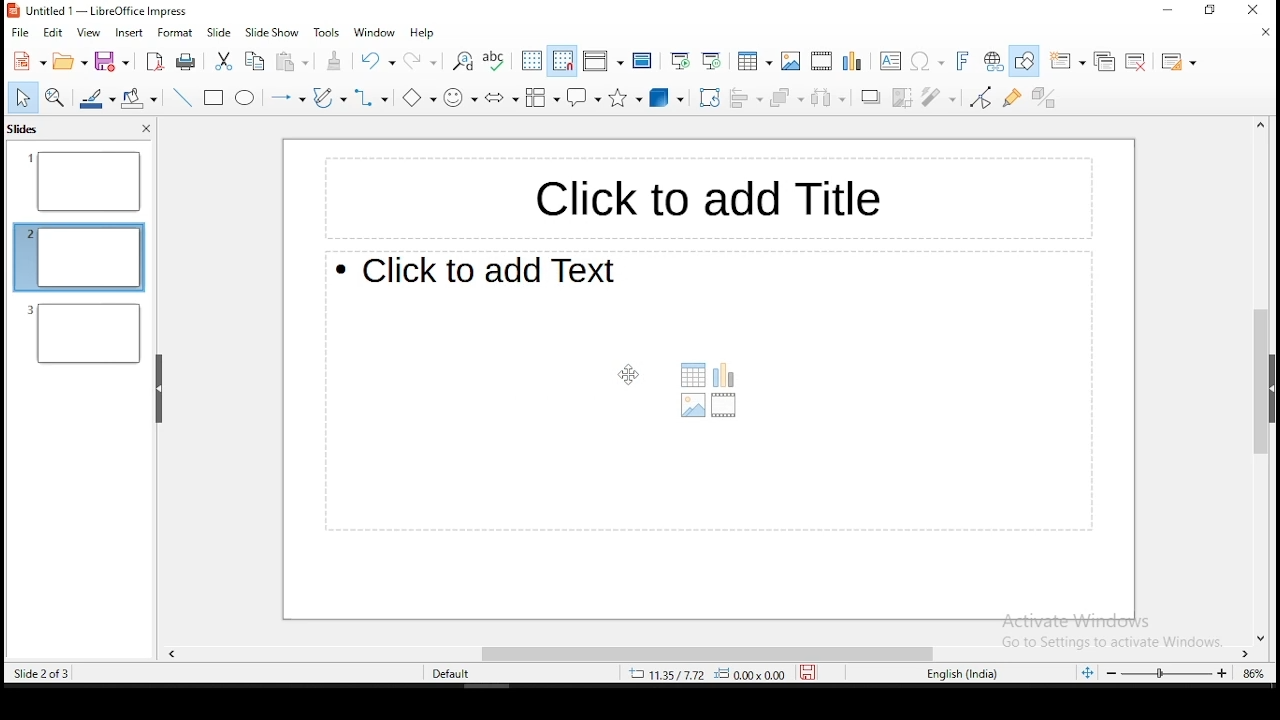 The height and width of the screenshot is (720, 1280). I want to click on insert, so click(128, 33).